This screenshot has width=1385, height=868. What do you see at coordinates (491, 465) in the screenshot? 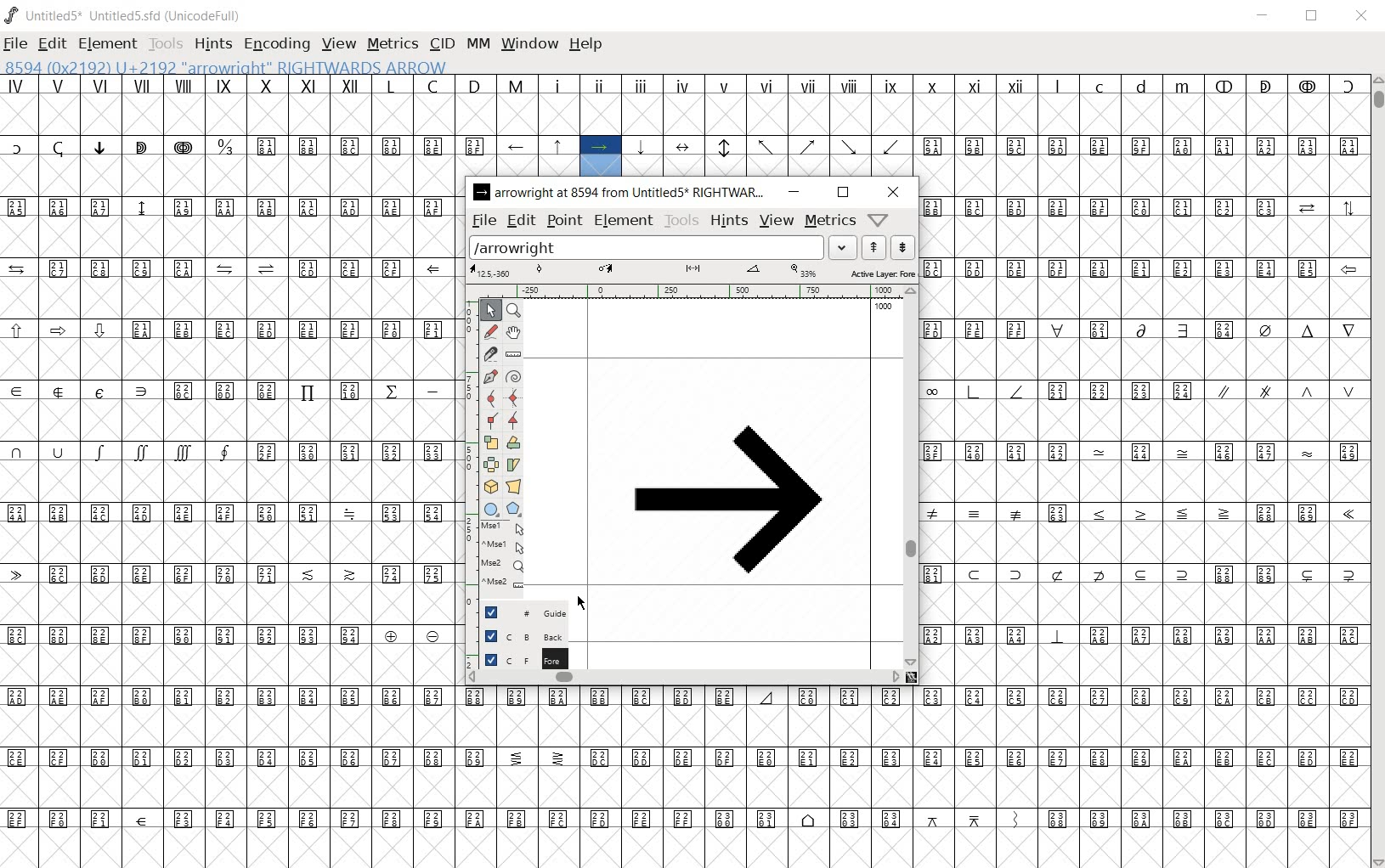
I see `flip the selection` at bounding box center [491, 465].